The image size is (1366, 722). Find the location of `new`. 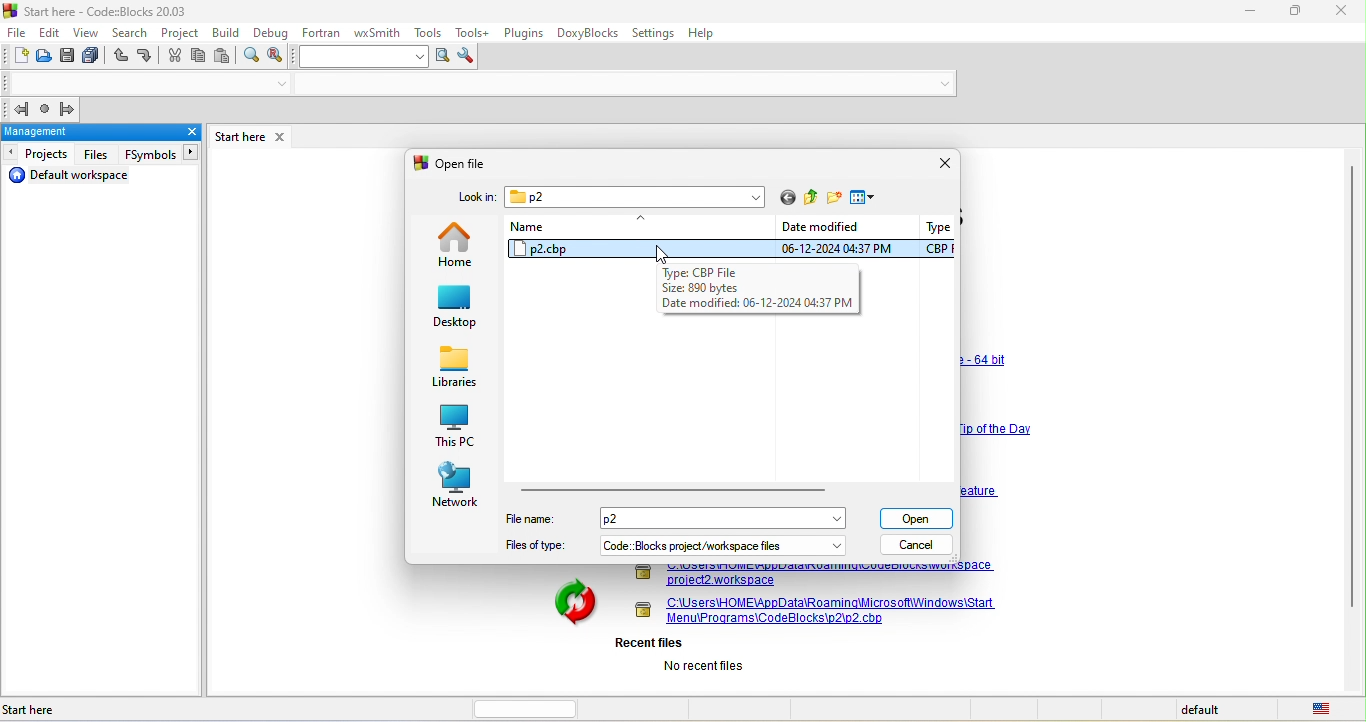

new is located at coordinates (18, 55).